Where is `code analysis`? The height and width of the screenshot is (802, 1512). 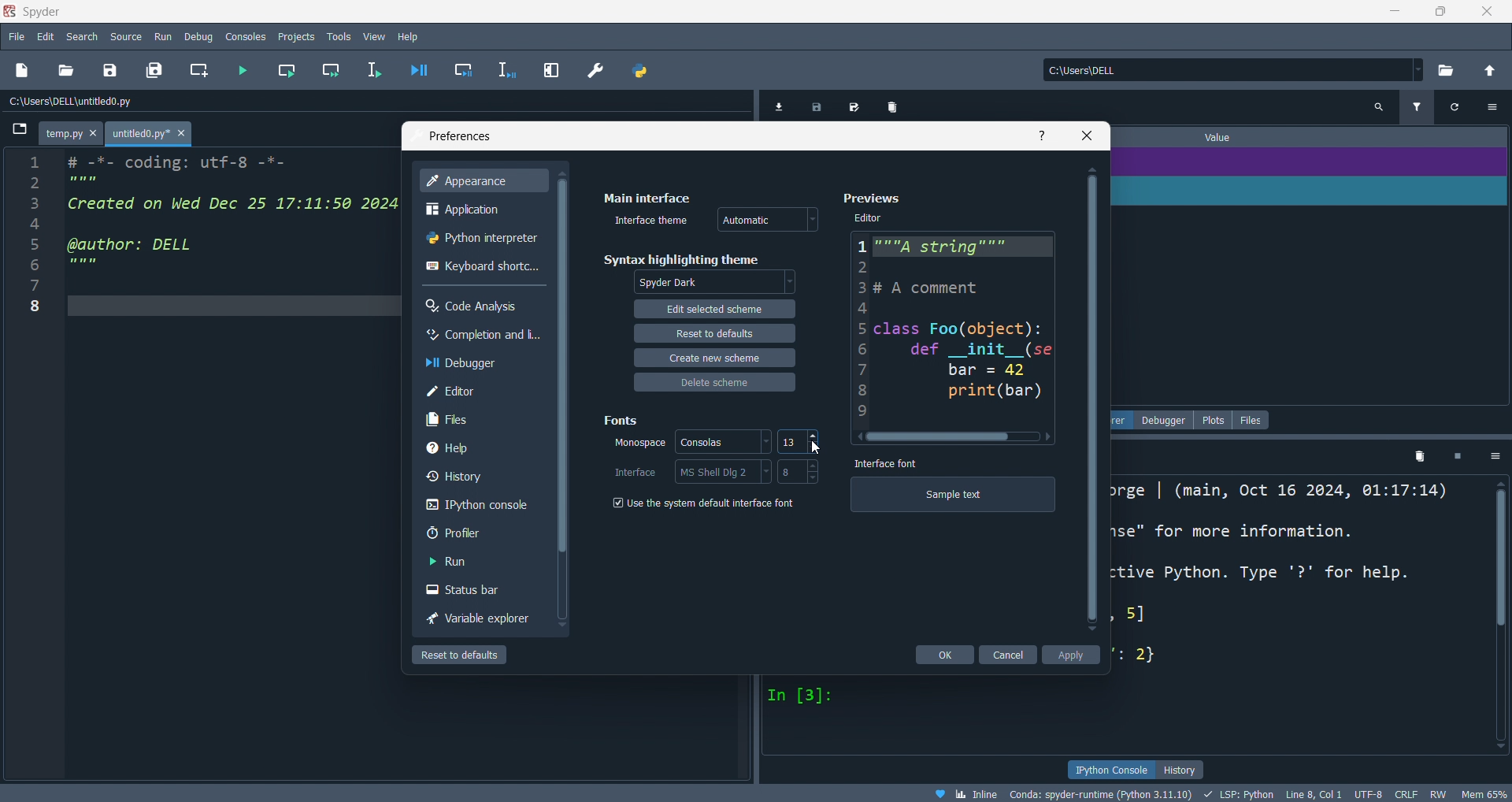 code analysis is located at coordinates (484, 303).